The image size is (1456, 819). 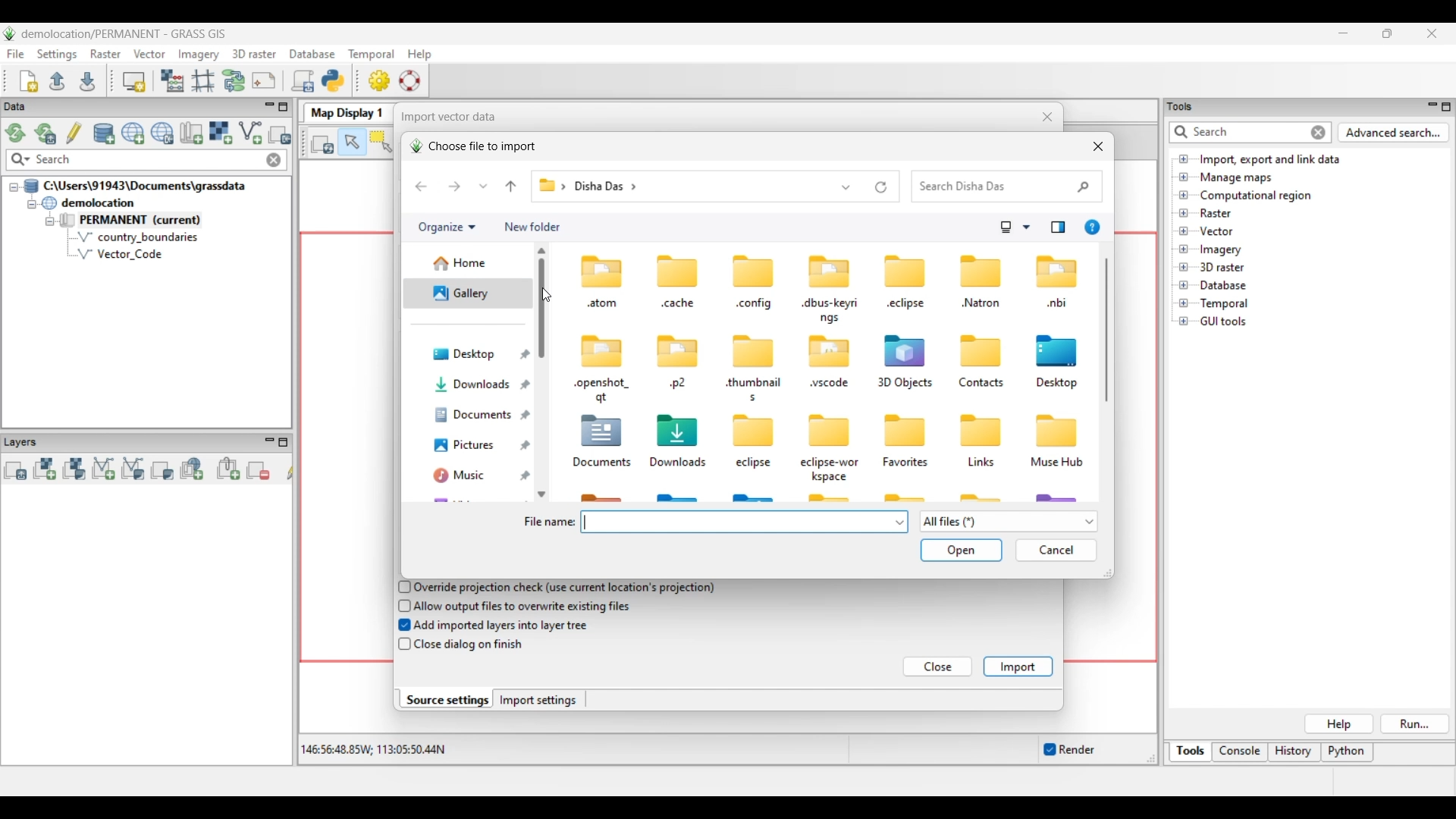 I want to click on nbi, so click(x=1058, y=304).